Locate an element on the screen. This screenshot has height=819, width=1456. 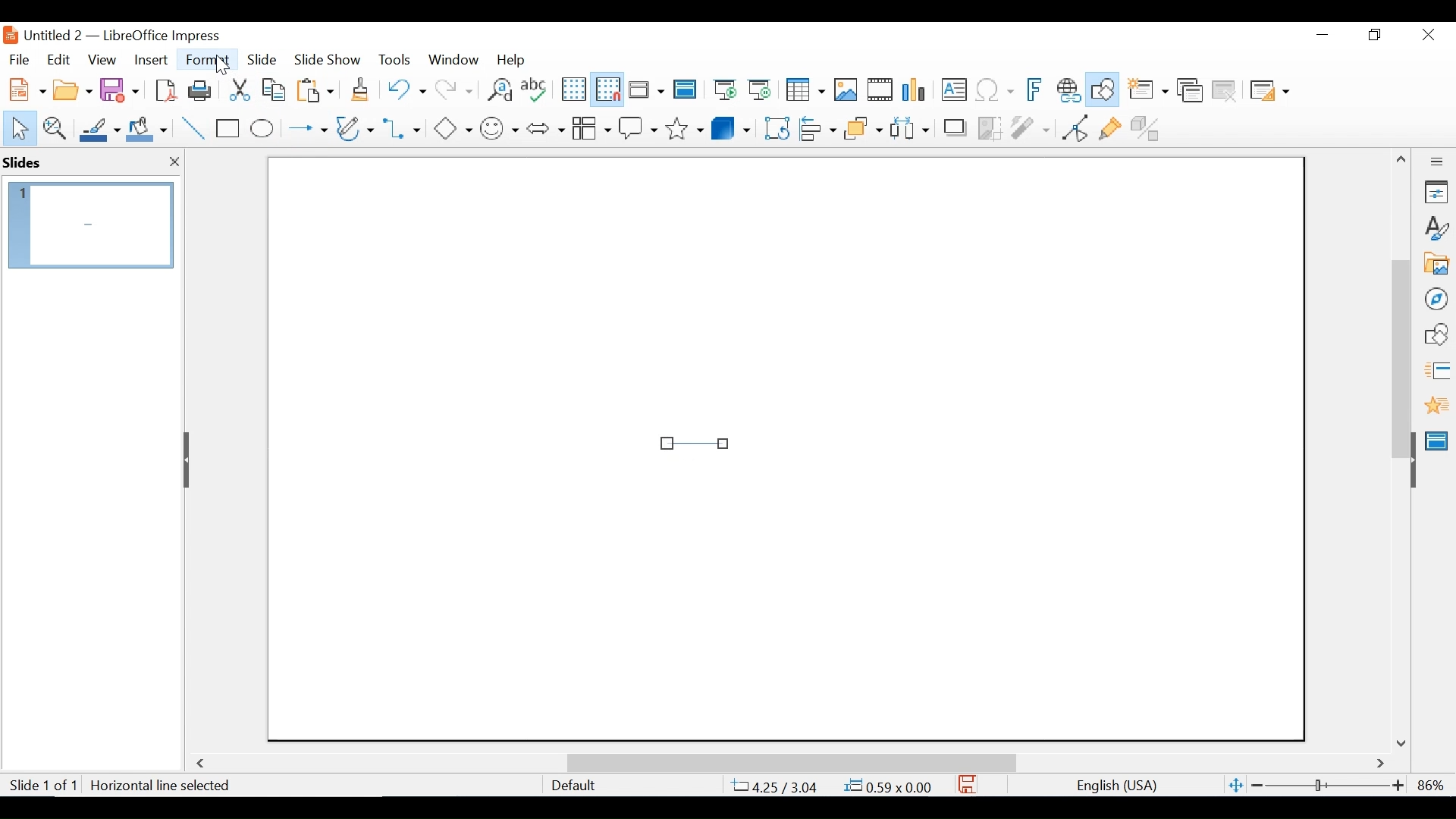
New slide is located at coordinates (1147, 91).